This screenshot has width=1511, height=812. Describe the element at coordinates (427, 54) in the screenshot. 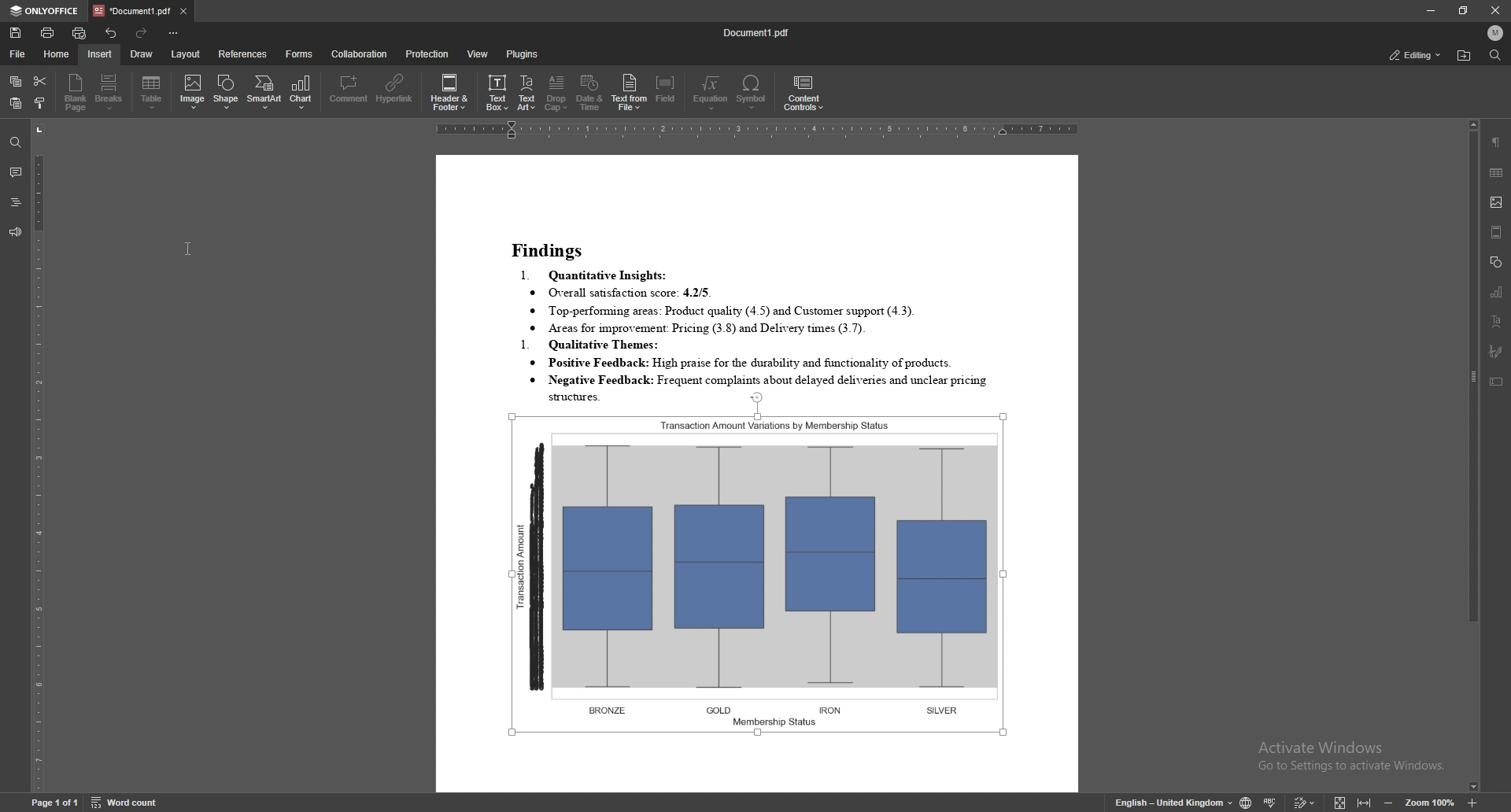

I see `protection` at that location.